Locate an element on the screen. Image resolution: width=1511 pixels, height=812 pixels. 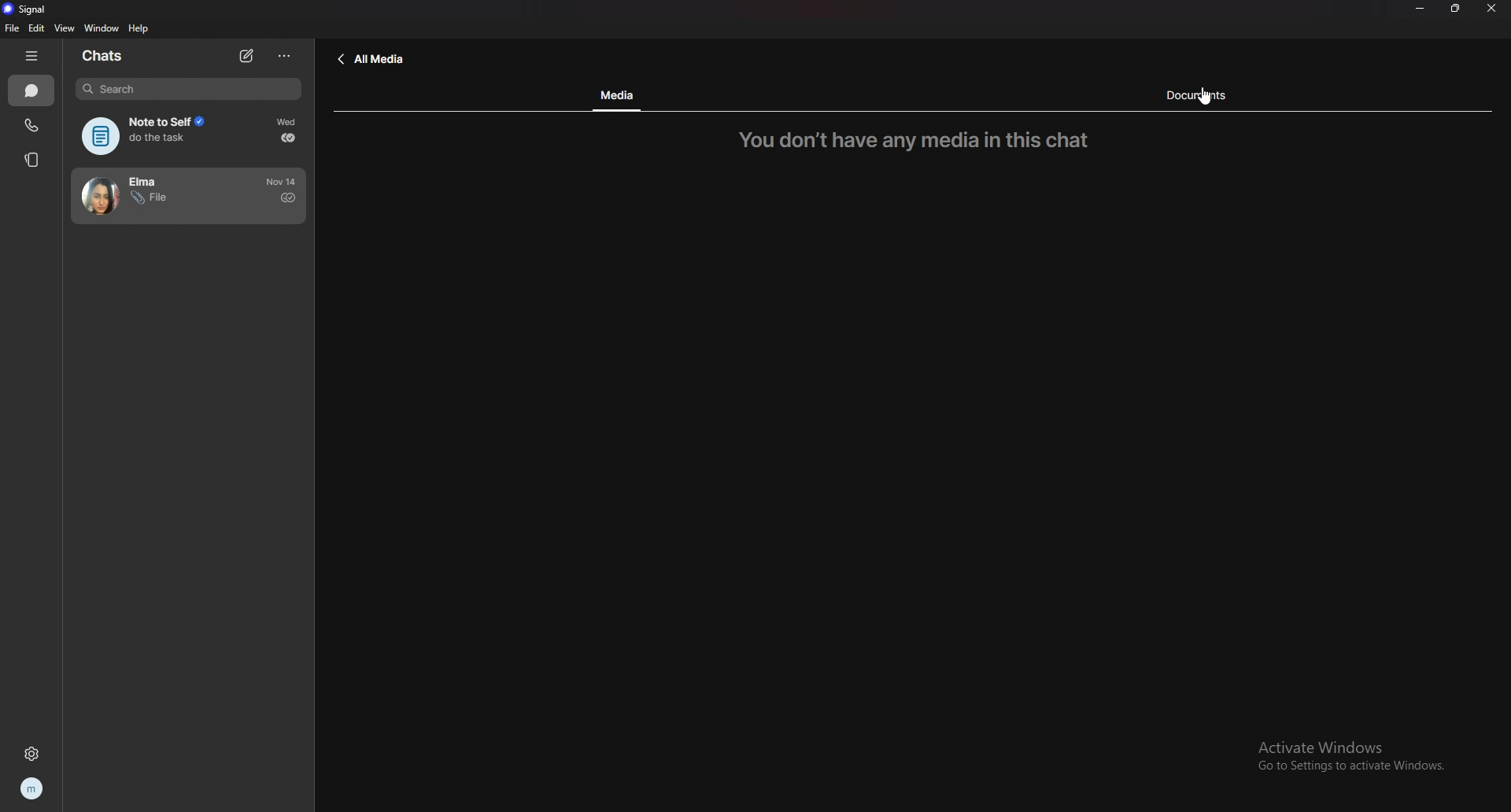
contact is located at coordinates (155, 196).